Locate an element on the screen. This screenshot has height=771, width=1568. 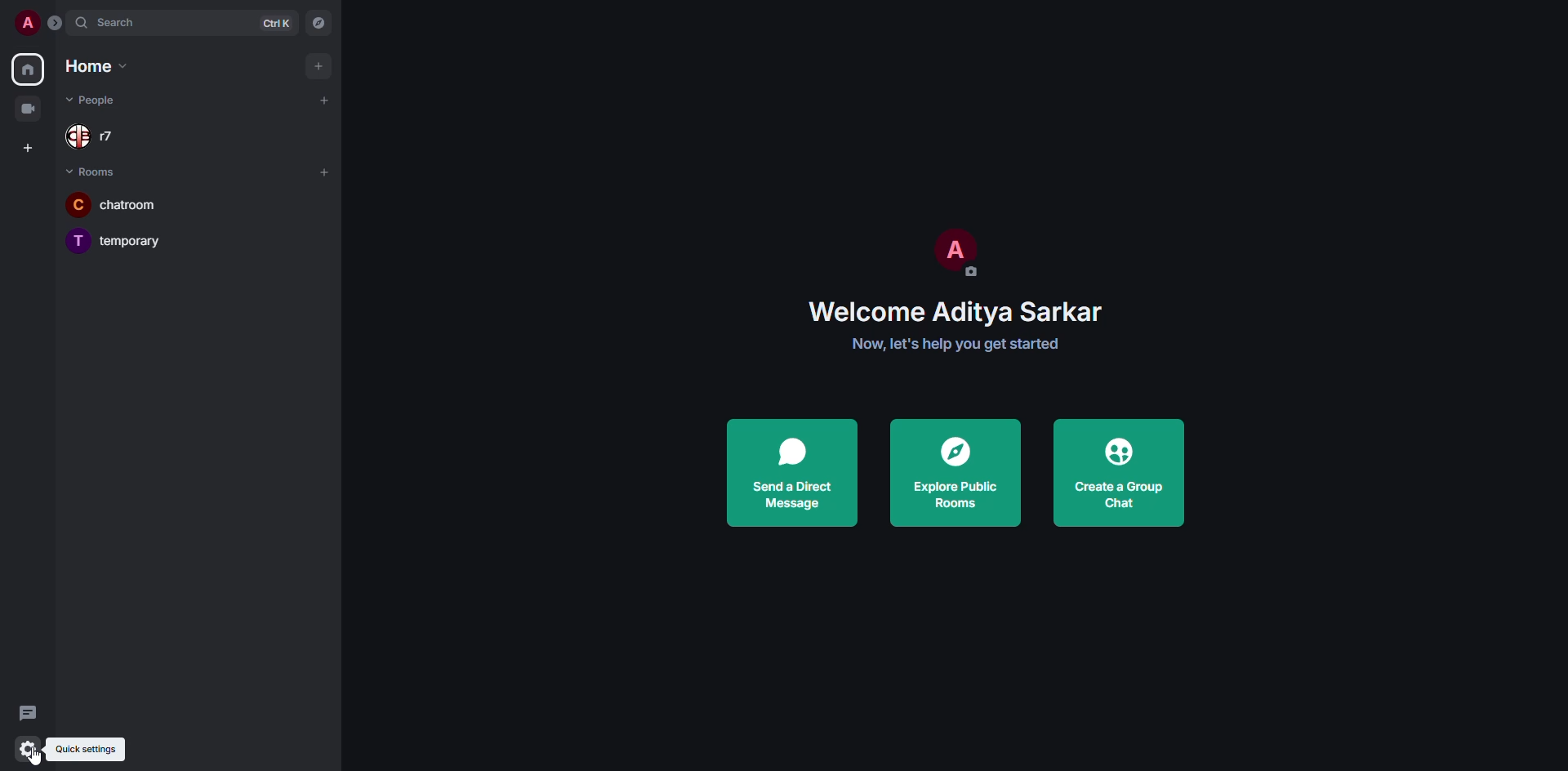
get started is located at coordinates (956, 344).